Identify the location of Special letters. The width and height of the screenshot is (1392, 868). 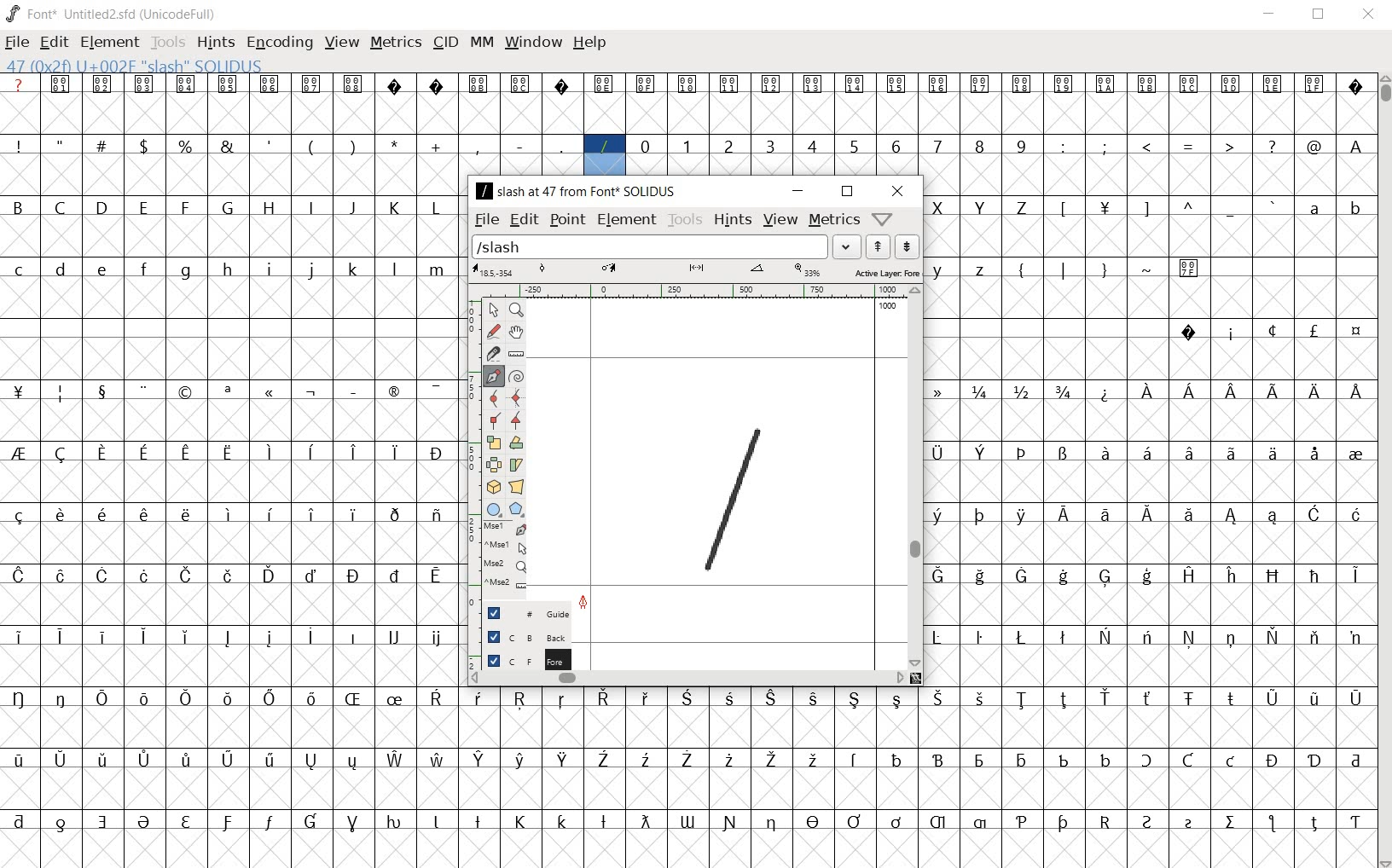
(1250, 391).